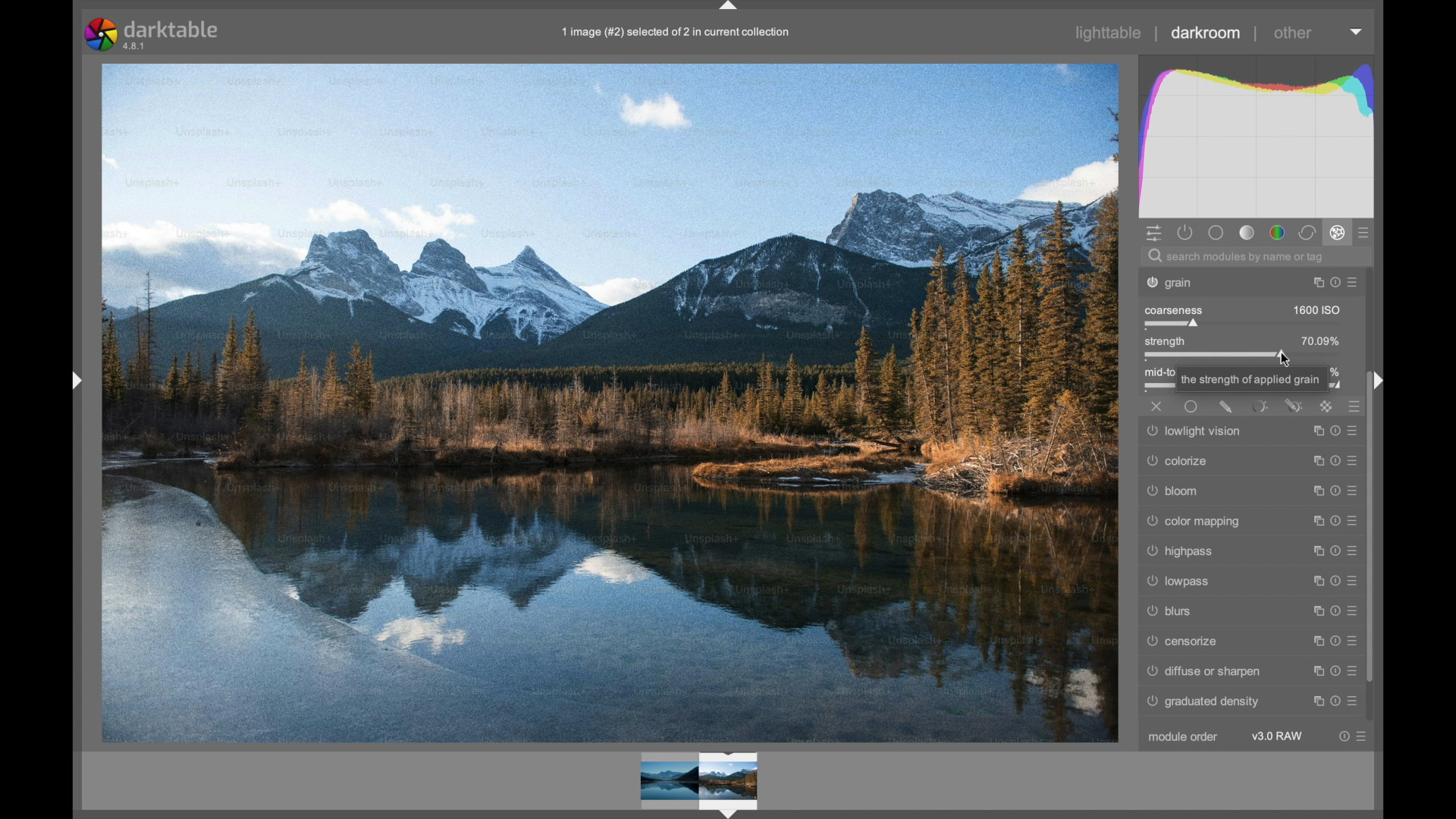 This screenshot has height=819, width=1456. I want to click on strength, so click(1165, 340).